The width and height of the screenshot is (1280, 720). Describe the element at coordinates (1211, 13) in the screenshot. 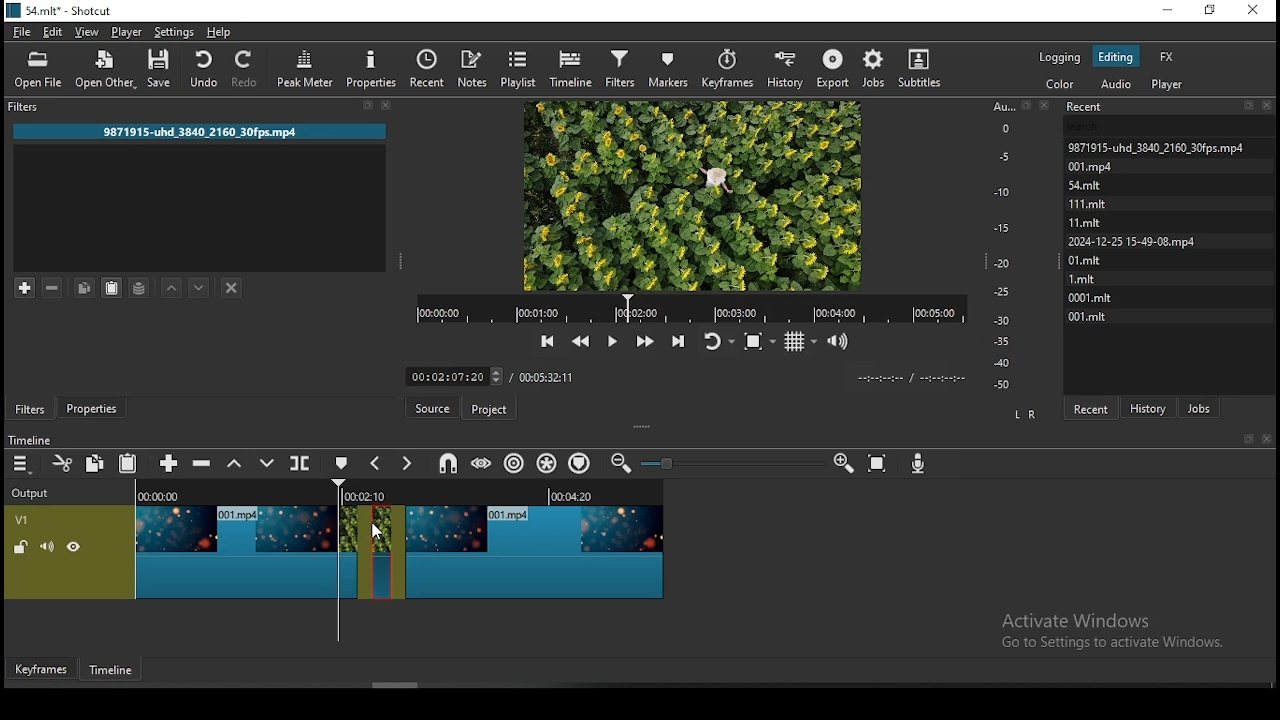

I see `restore` at that location.